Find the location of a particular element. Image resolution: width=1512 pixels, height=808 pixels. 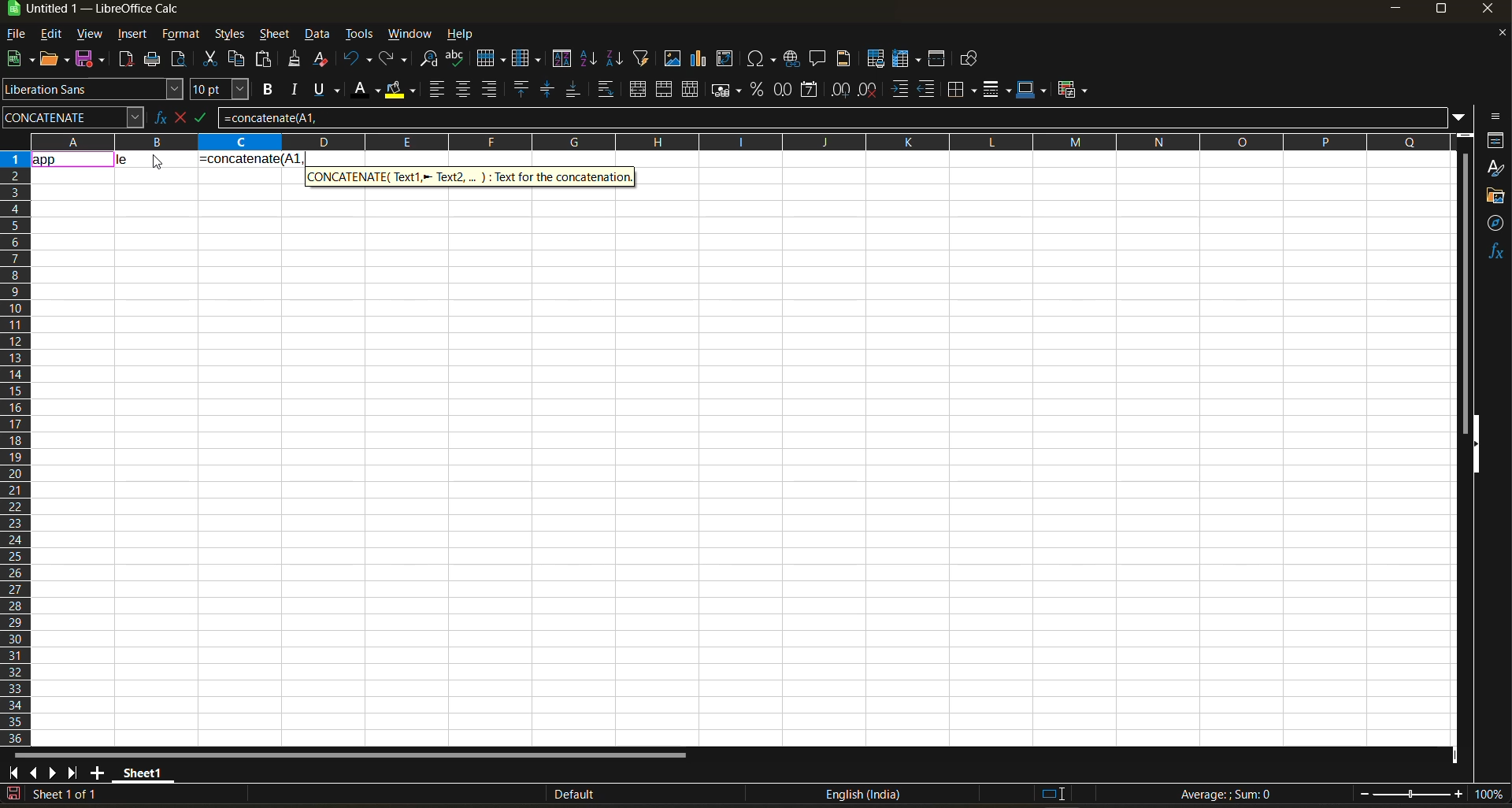

font name is located at coordinates (94, 90).